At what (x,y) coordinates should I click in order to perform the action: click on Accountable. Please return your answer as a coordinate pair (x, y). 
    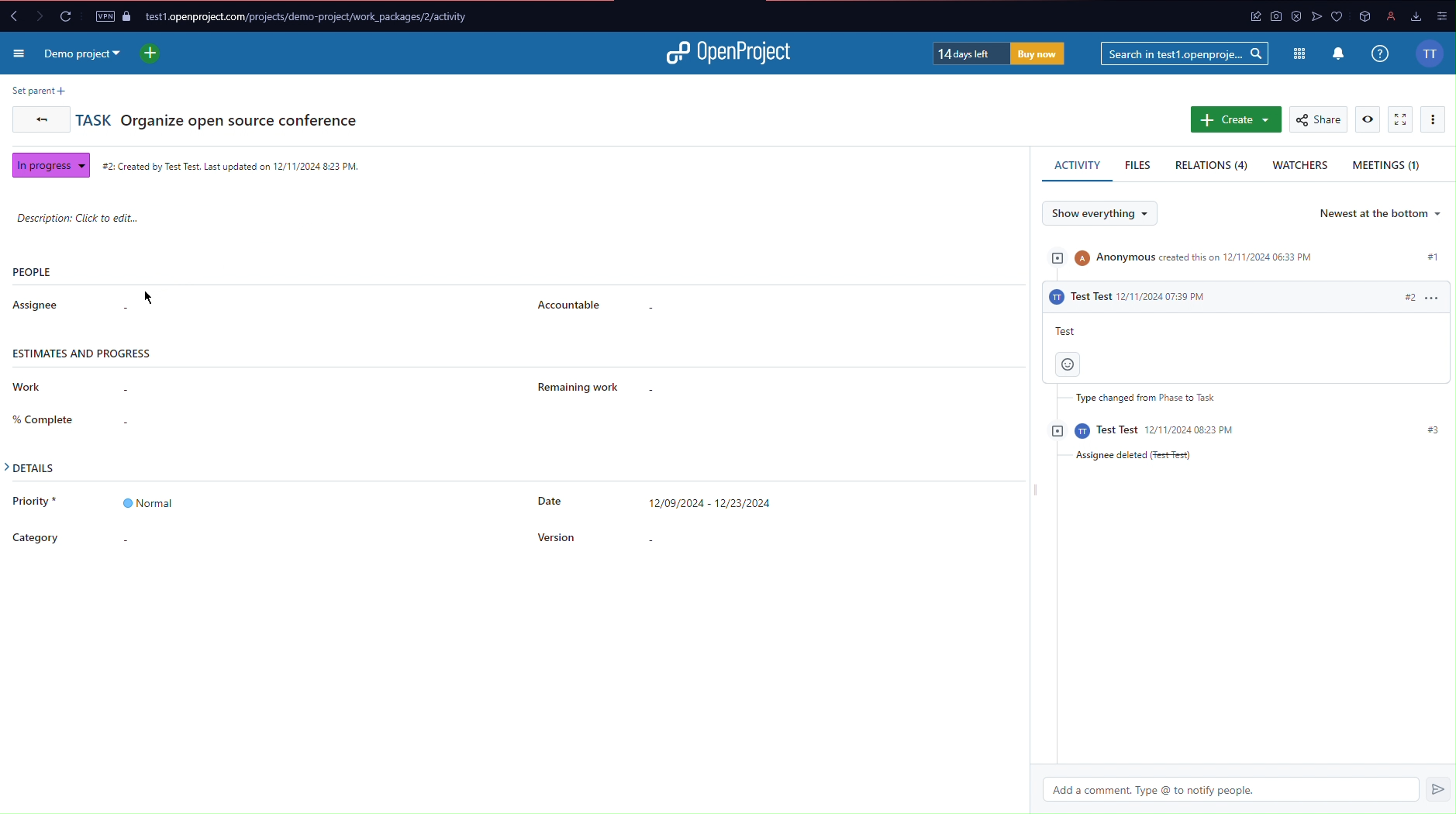
    Looking at the image, I should click on (573, 305).